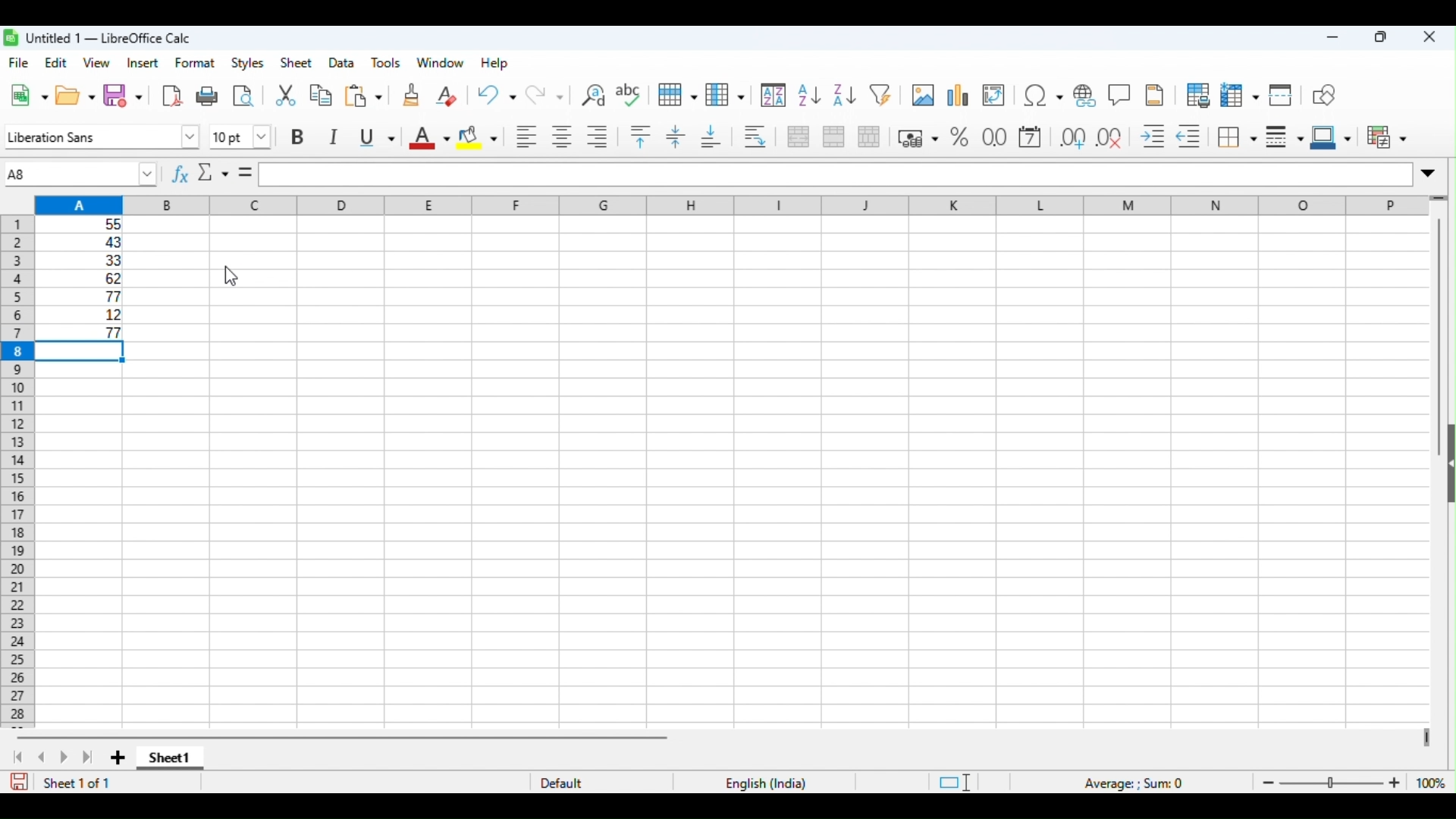  I want to click on largest number appeared, so click(86, 331).